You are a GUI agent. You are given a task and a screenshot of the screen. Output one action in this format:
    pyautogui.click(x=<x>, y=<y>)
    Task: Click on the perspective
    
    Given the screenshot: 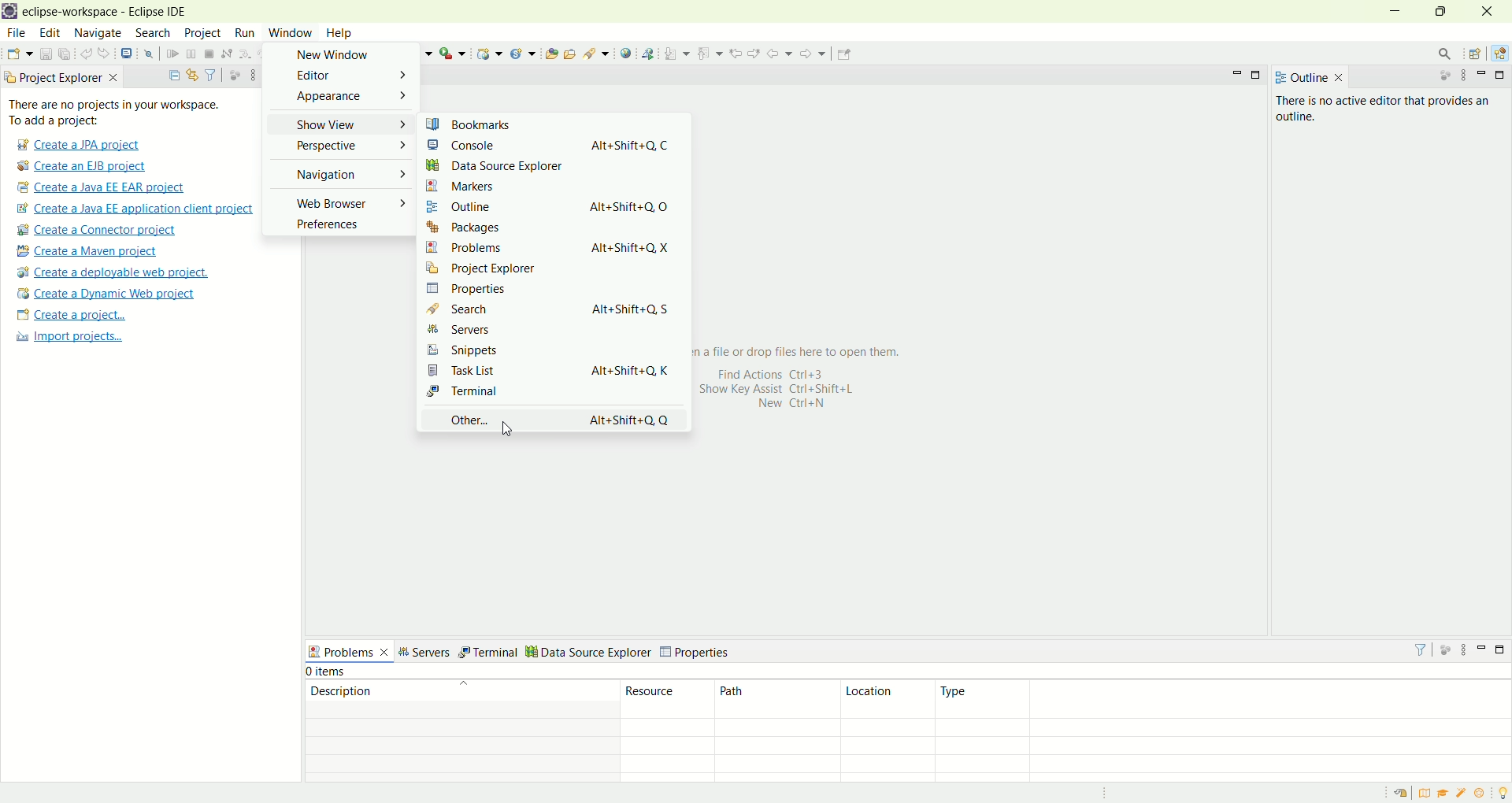 What is the action you would take?
    pyautogui.click(x=341, y=150)
    